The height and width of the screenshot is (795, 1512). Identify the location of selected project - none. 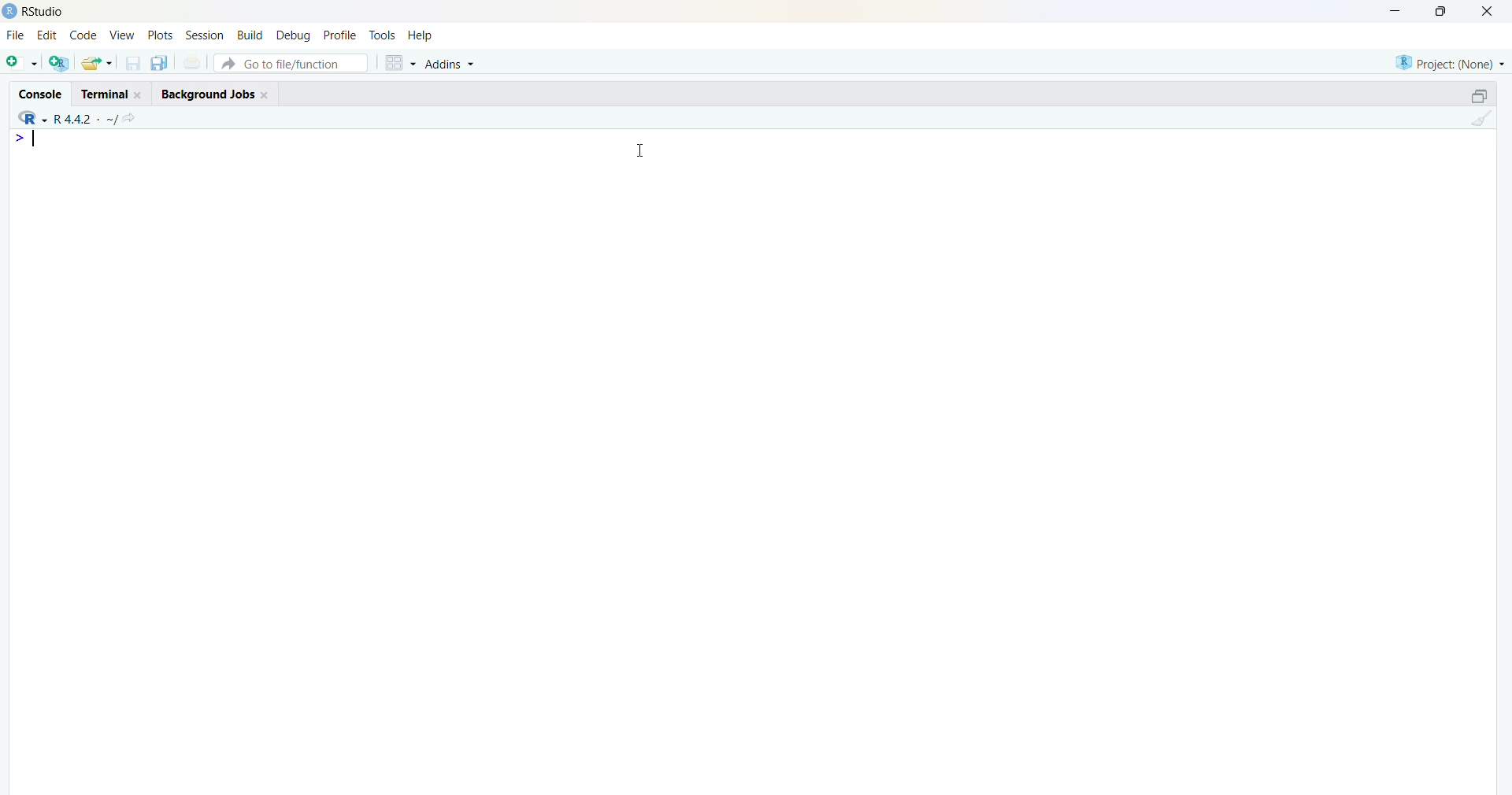
(1452, 62).